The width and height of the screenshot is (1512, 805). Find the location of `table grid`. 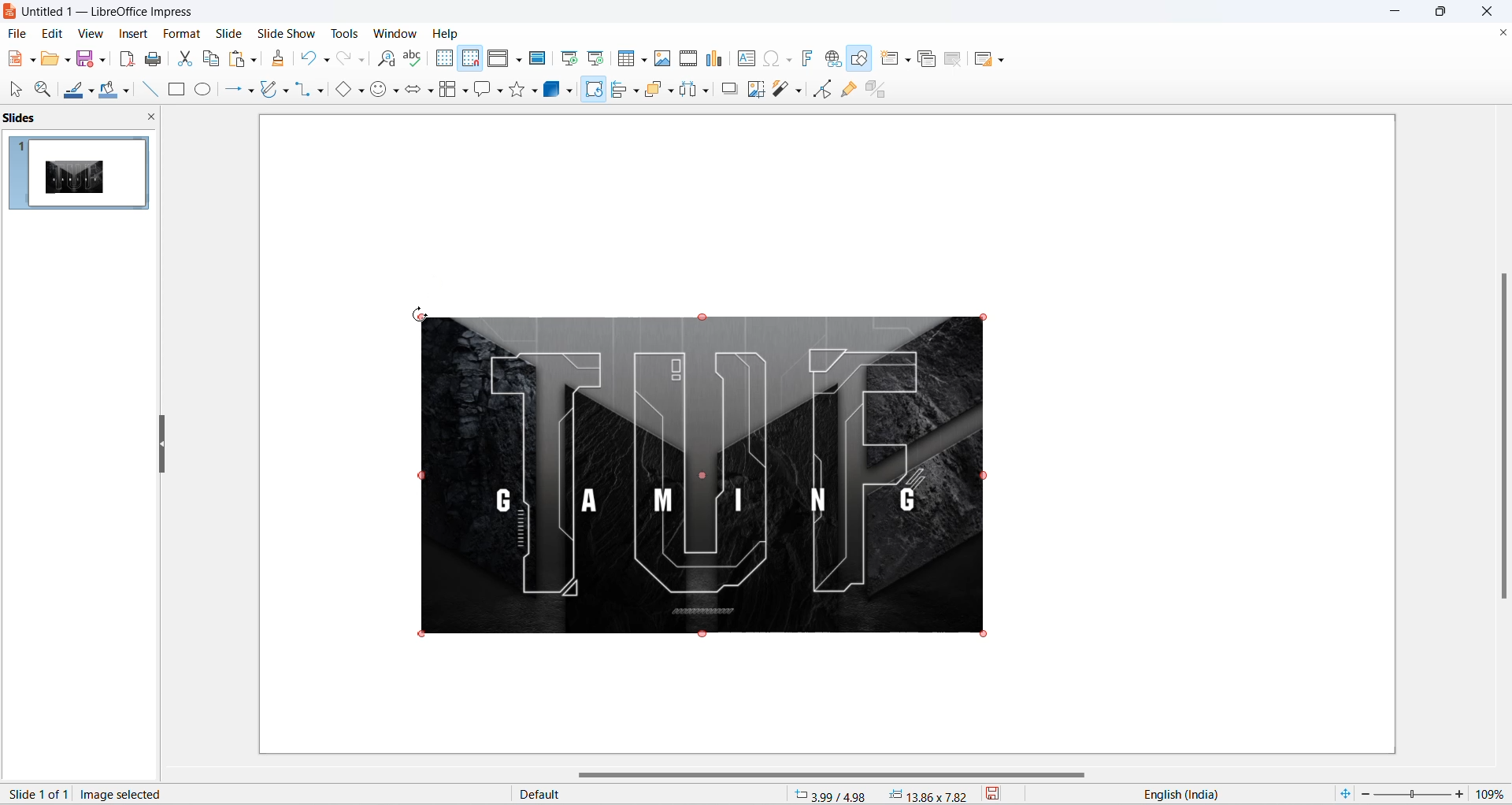

table grid is located at coordinates (645, 60).